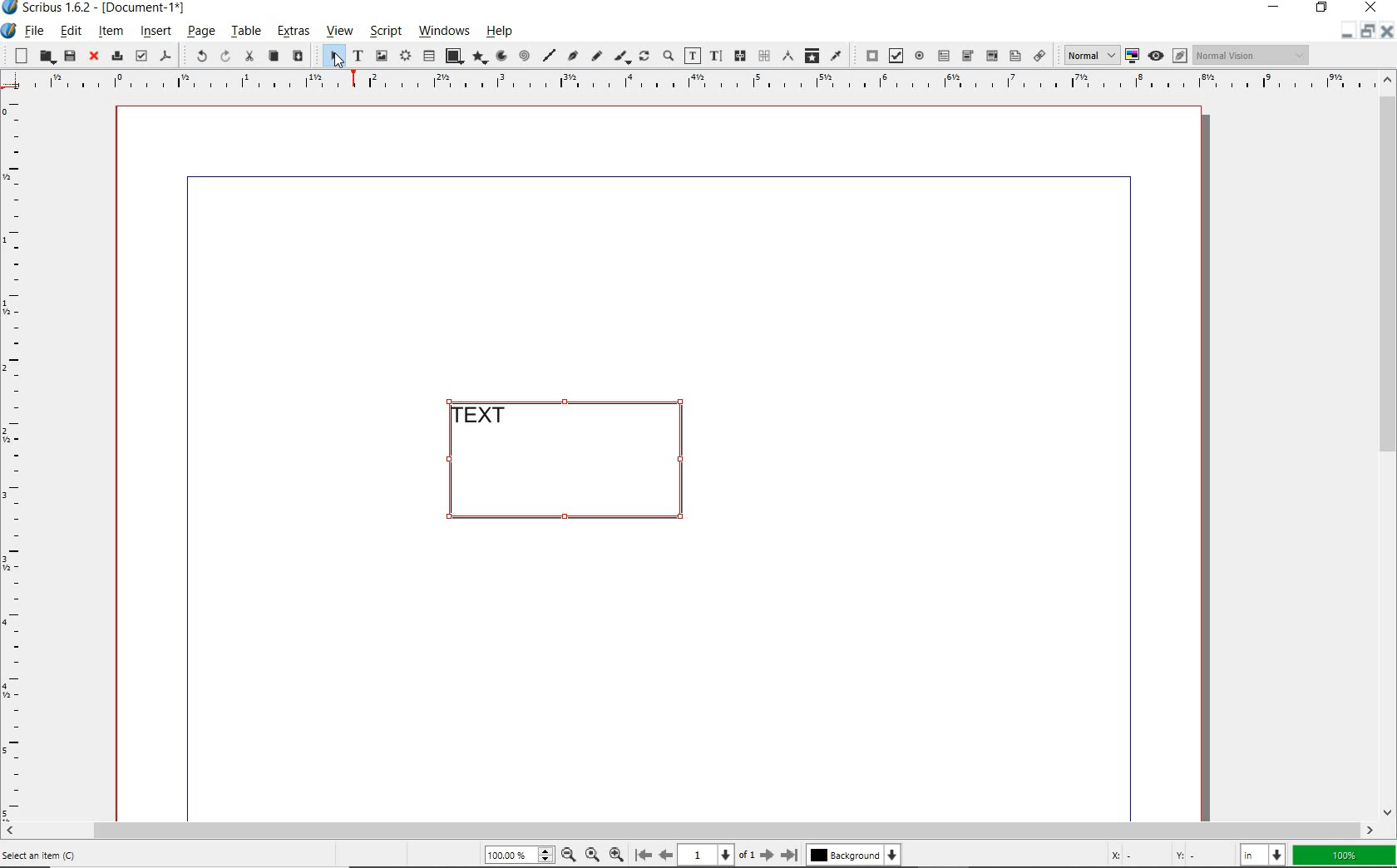 Image resolution: width=1397 pixels, height=868 pixels. Describe the element at coordinates (481, 58) in the screenshot. I see `polygon` at that location.